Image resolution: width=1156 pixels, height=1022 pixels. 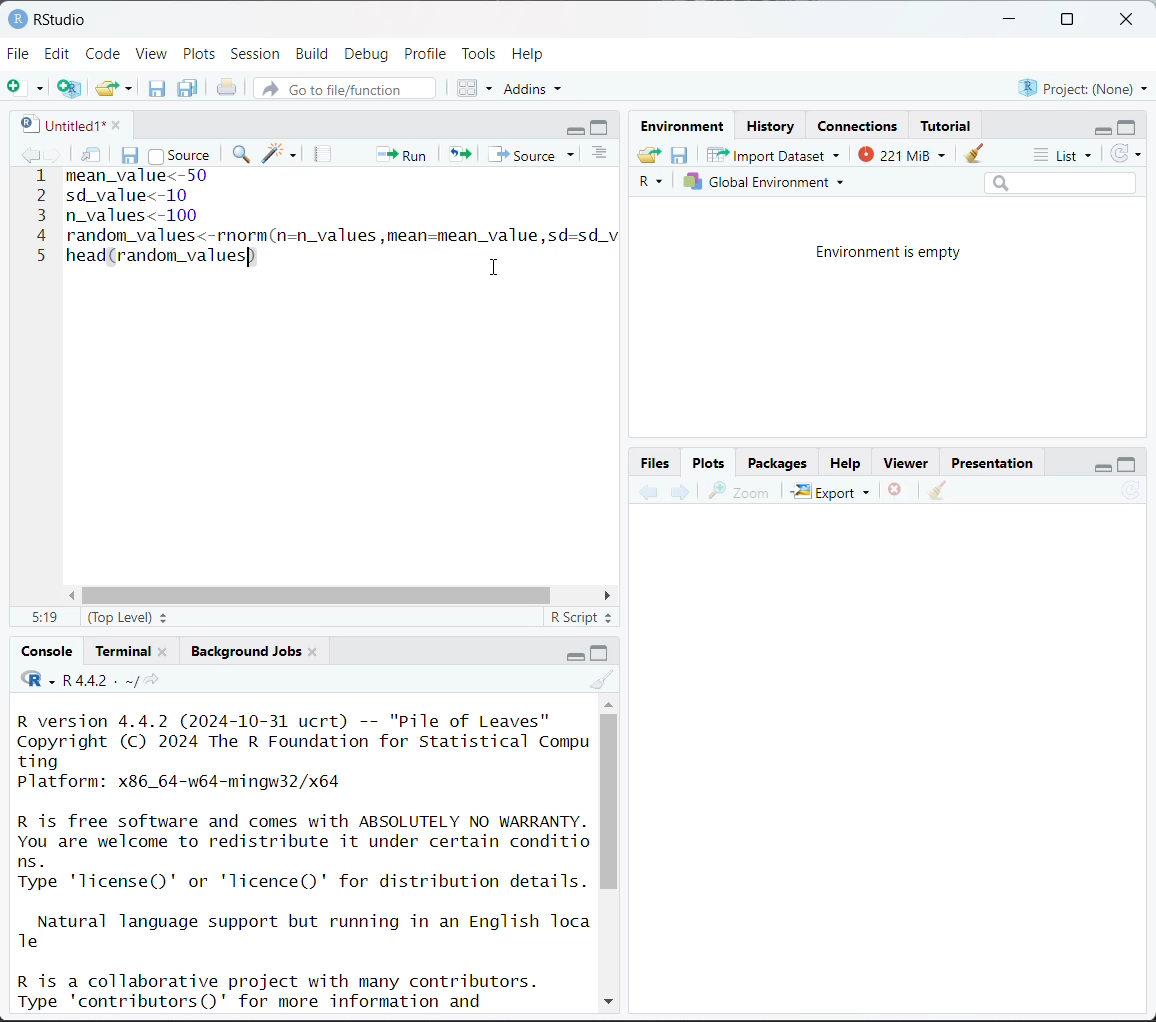 What do you see at coordinates (476, 87) in the screenshot?
I see `workspace panes` at bounding box center [476, 87].